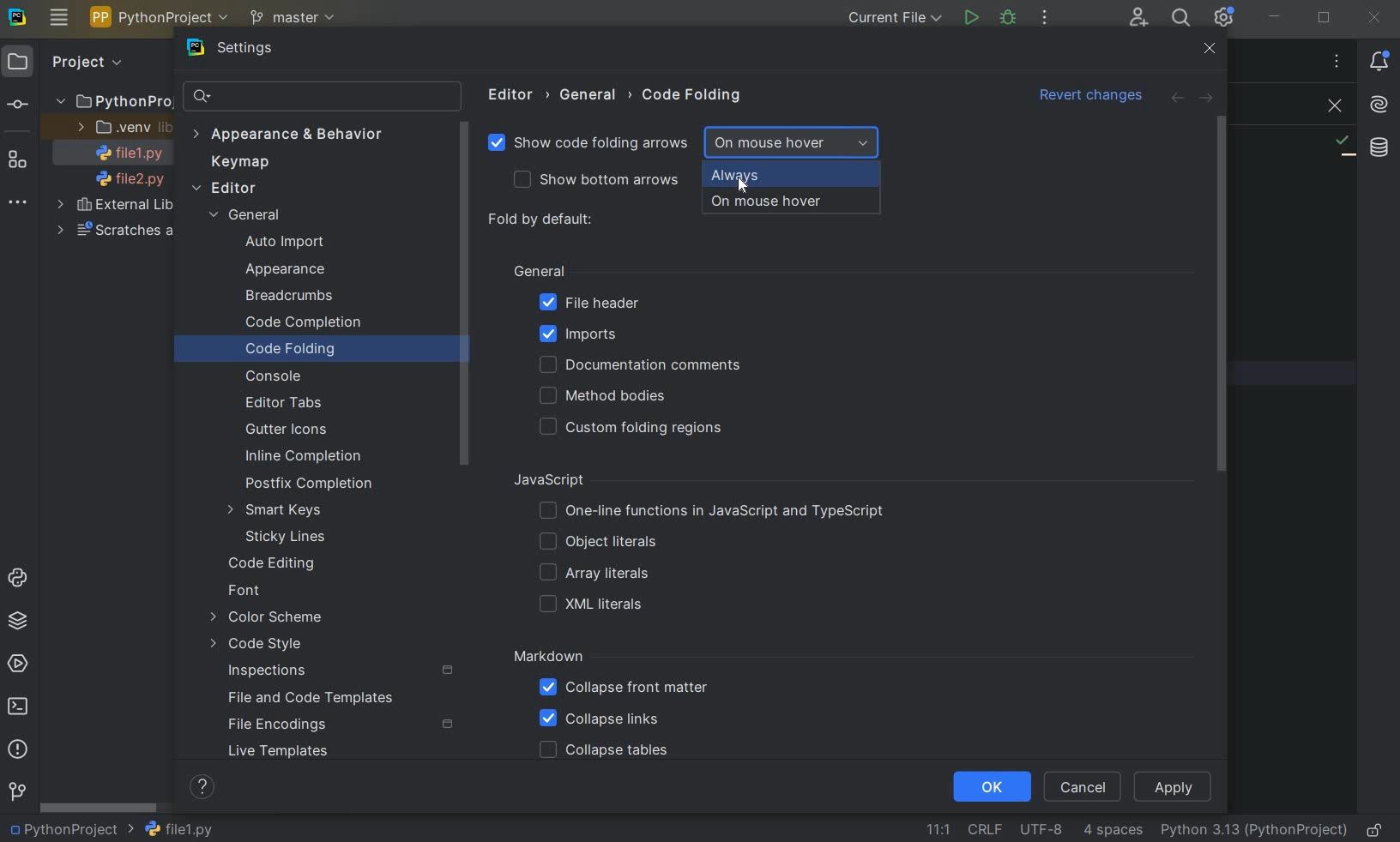 The height and width of the screenshot is (842, 1400). Describe the element at coordinates (593, 95) in the screenshot. I see `GENERAL` at that location.